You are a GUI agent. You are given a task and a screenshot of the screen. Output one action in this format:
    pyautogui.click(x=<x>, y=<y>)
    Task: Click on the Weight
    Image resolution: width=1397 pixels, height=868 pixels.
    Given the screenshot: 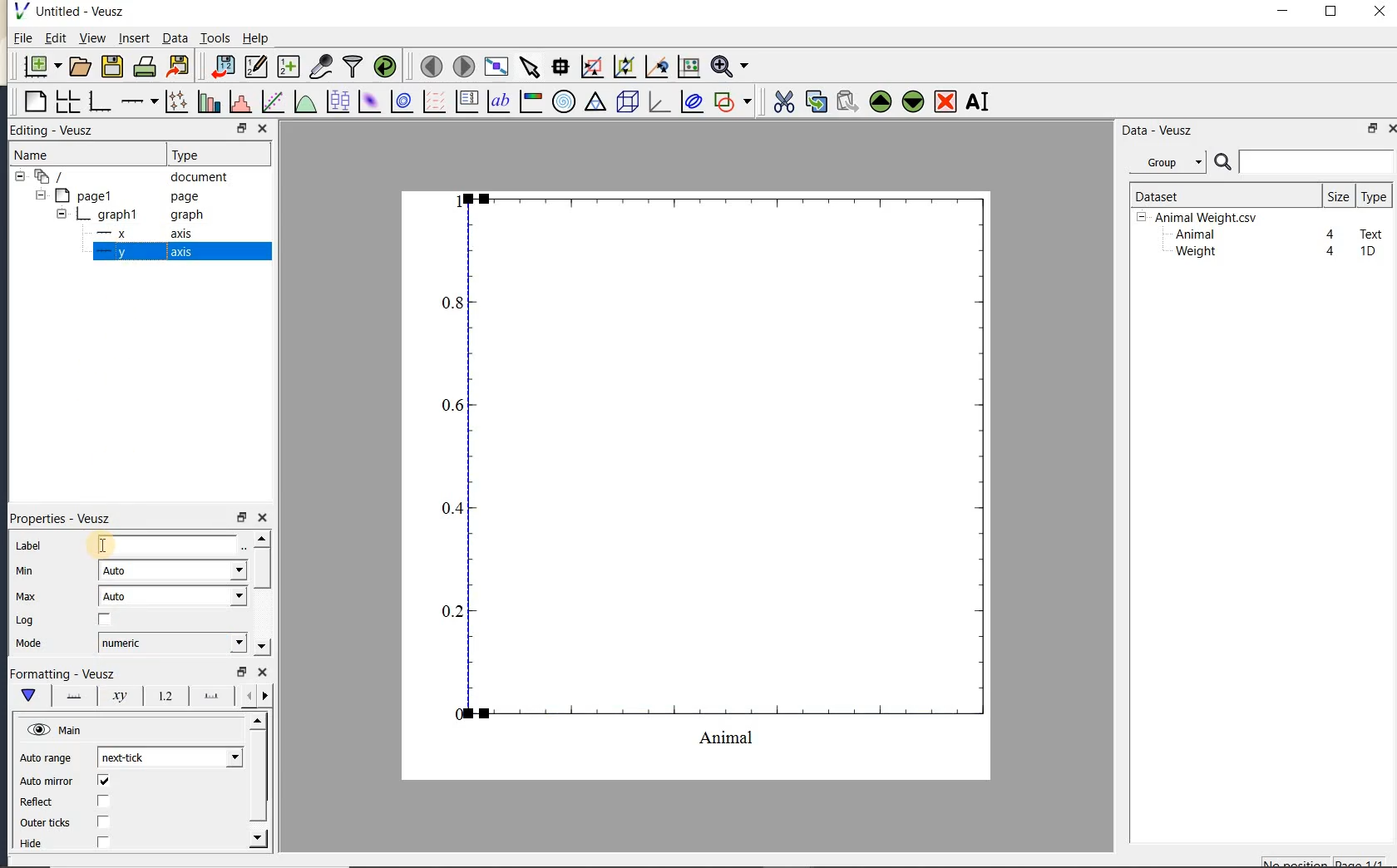 What is the action you would take?
    pyautogui.click(x=1194, y=253)
    